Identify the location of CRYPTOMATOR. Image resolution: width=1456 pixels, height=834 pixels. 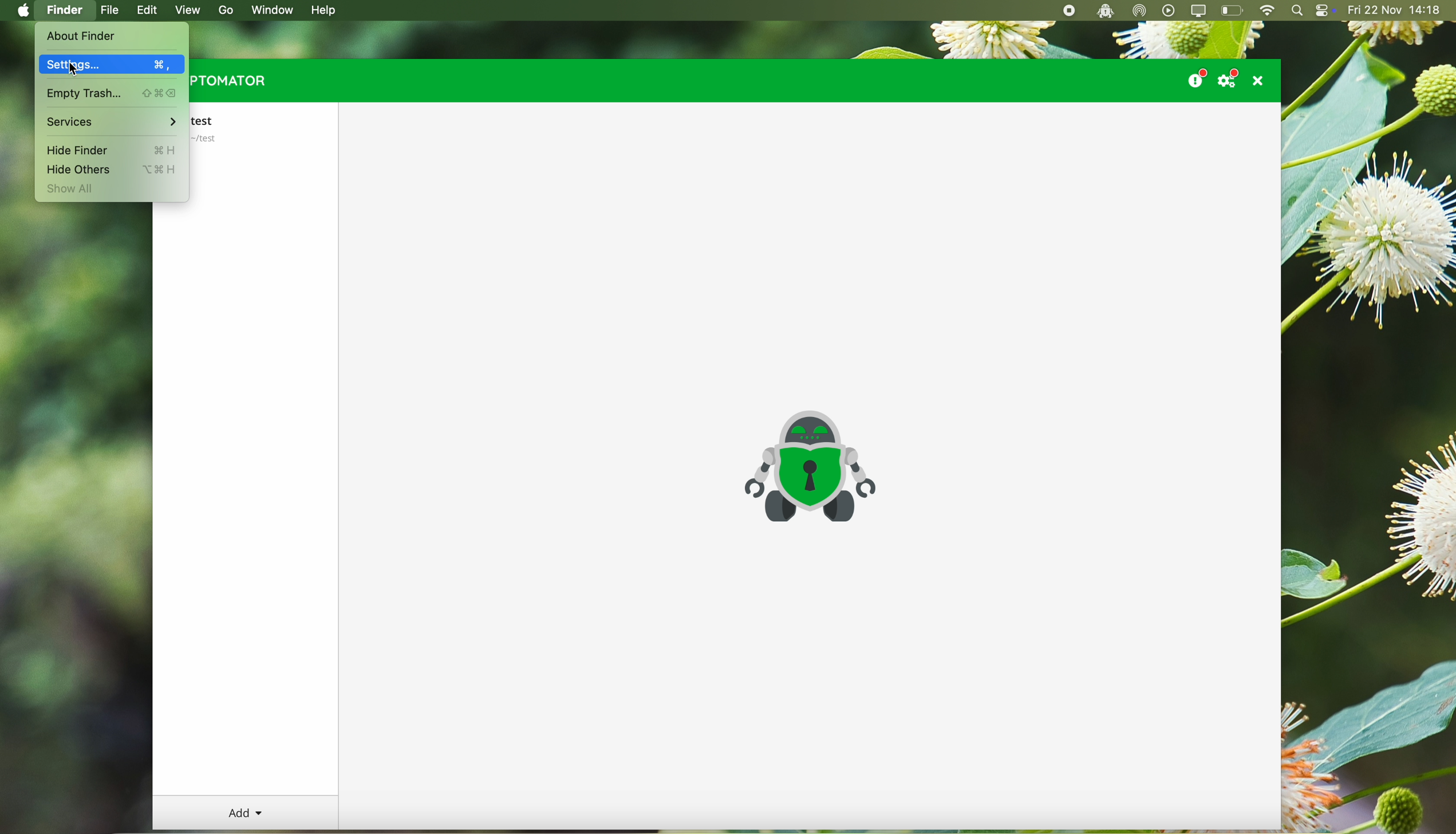
(230, 81).